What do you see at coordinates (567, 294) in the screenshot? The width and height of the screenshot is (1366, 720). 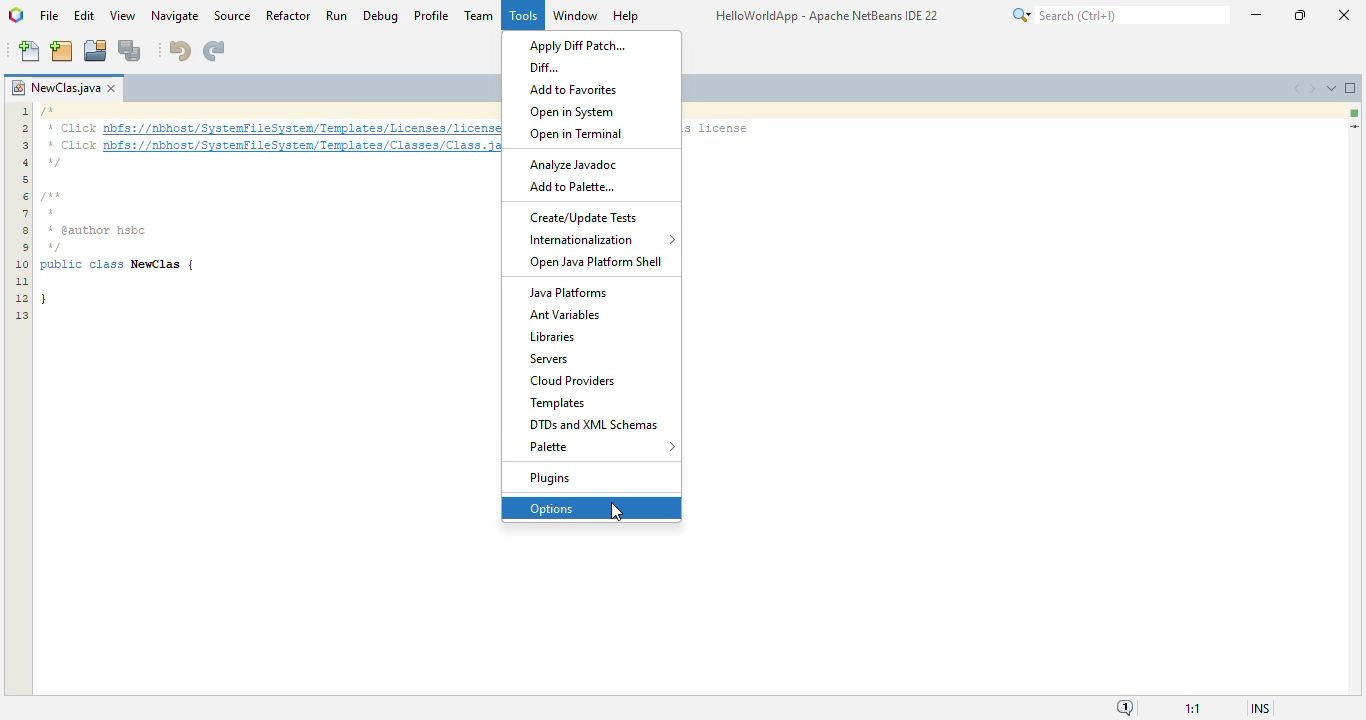 I see `java platforms` at bounding box center [567, 294].